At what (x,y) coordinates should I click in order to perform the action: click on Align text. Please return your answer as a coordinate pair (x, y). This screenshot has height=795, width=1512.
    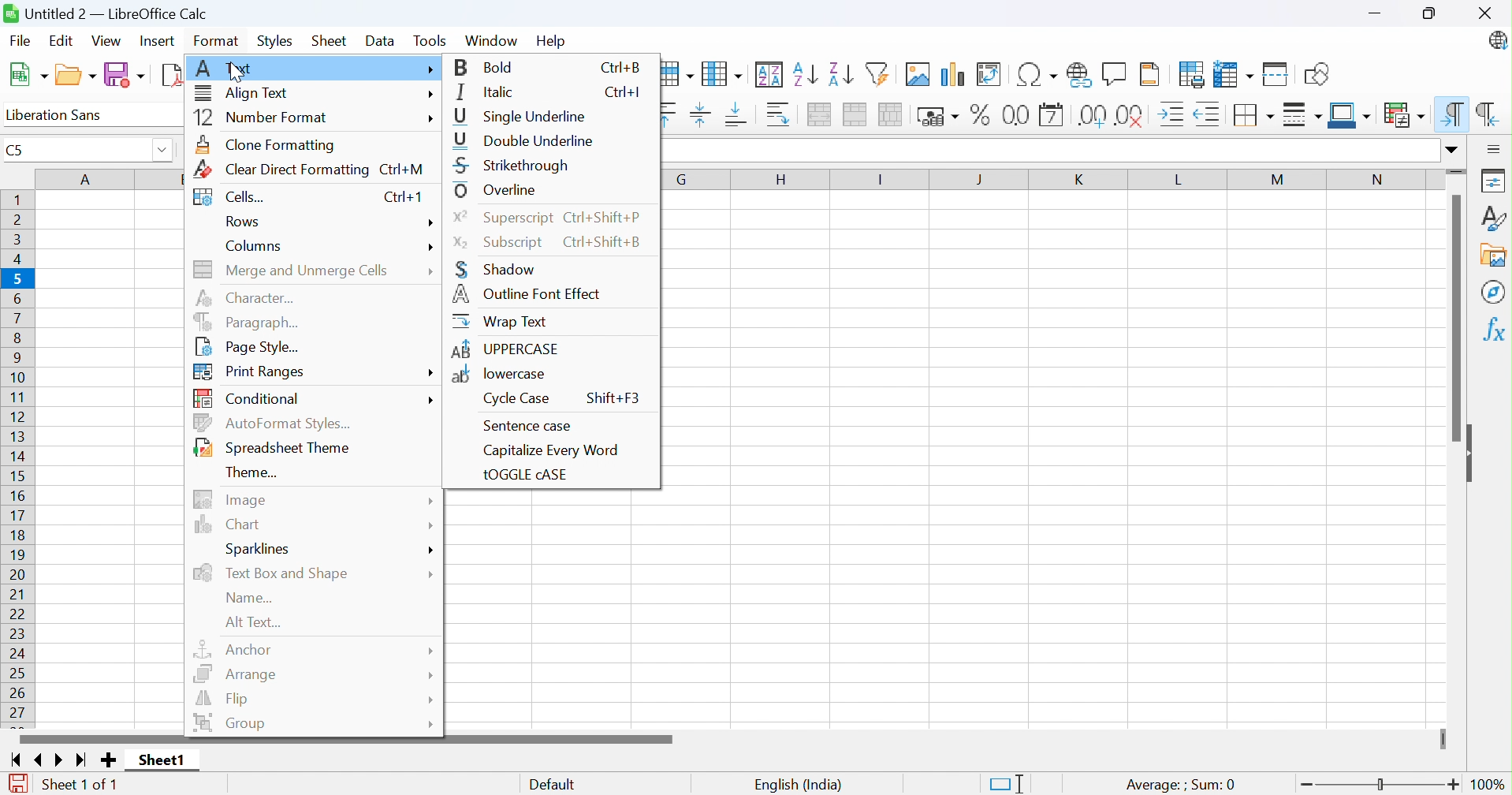
    Looking at the image, I should click on (243, 92).